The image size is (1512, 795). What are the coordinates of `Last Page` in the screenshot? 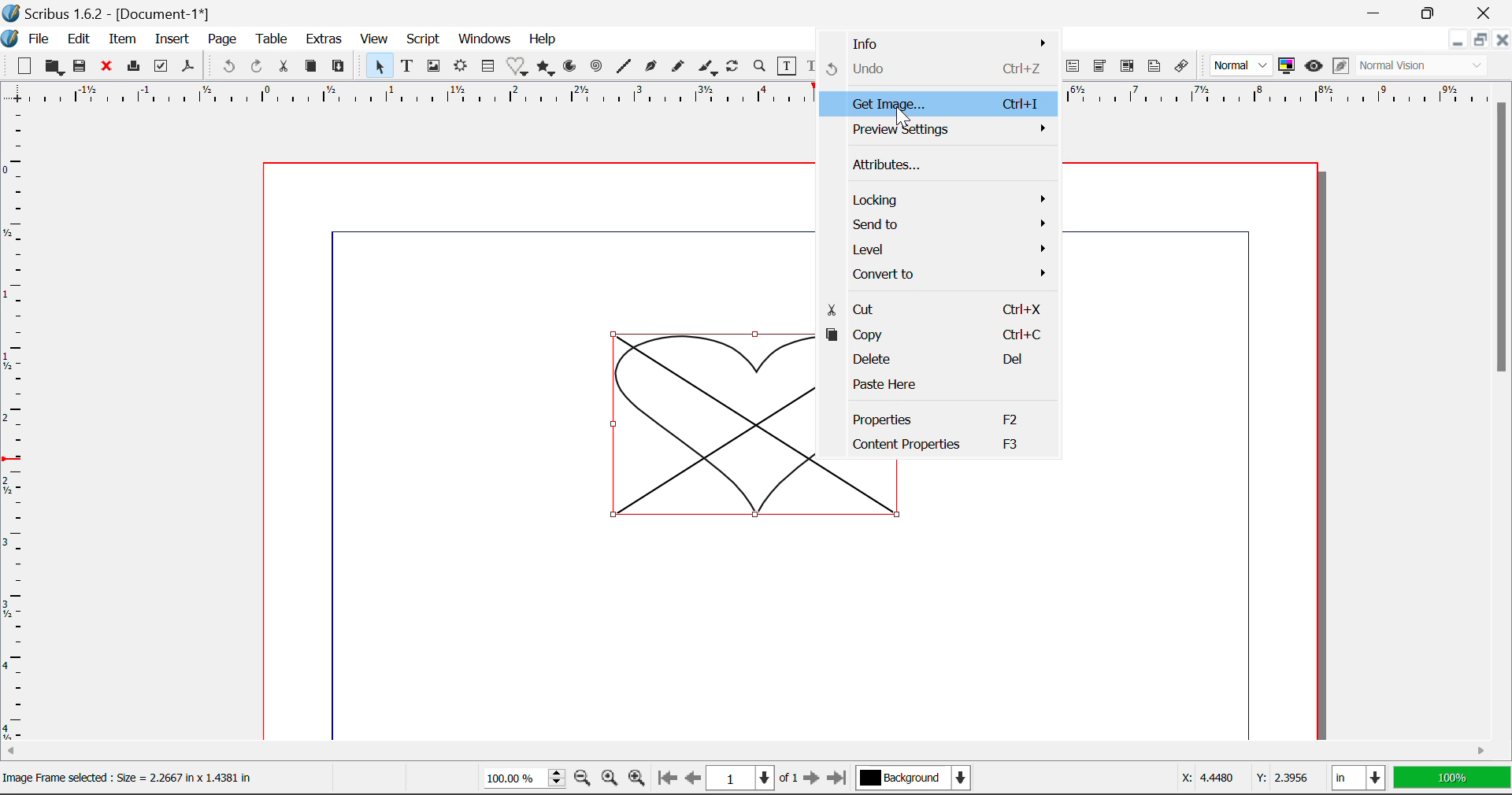 It's located at (839, 778).